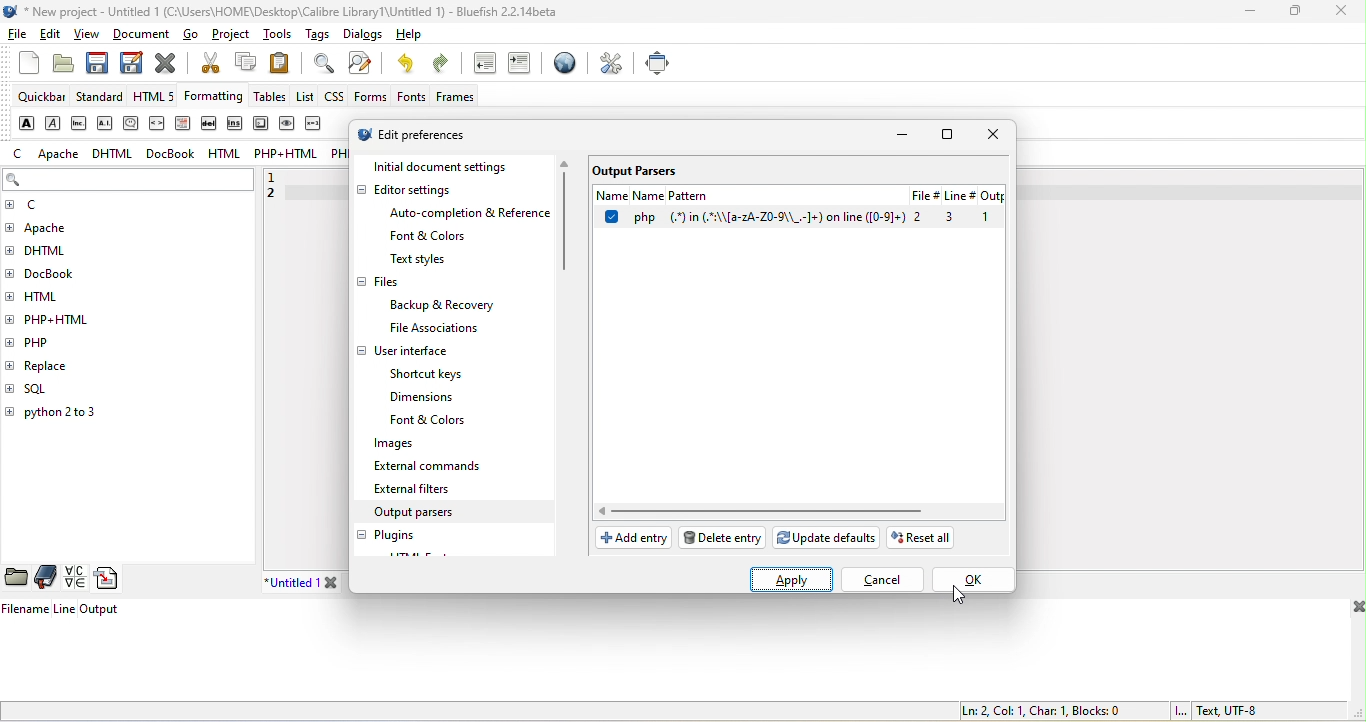  I want to click on delete pattern, so click(725, 537).